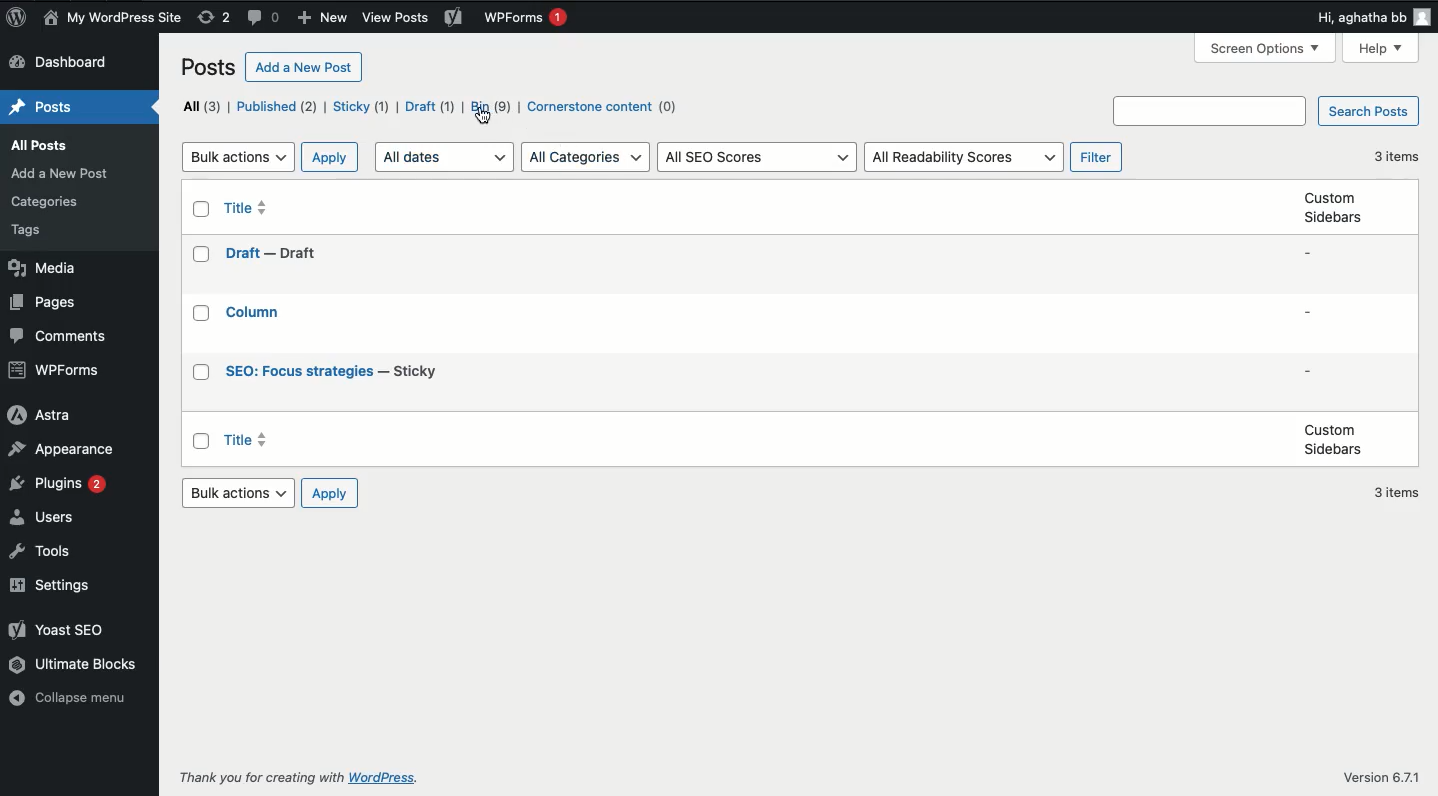 The width and height of the screenshot is (1438, 796). What do you see at coordinates (63, 337) in the screenshot?
I see `Comments` at bounding box center [63, 337].